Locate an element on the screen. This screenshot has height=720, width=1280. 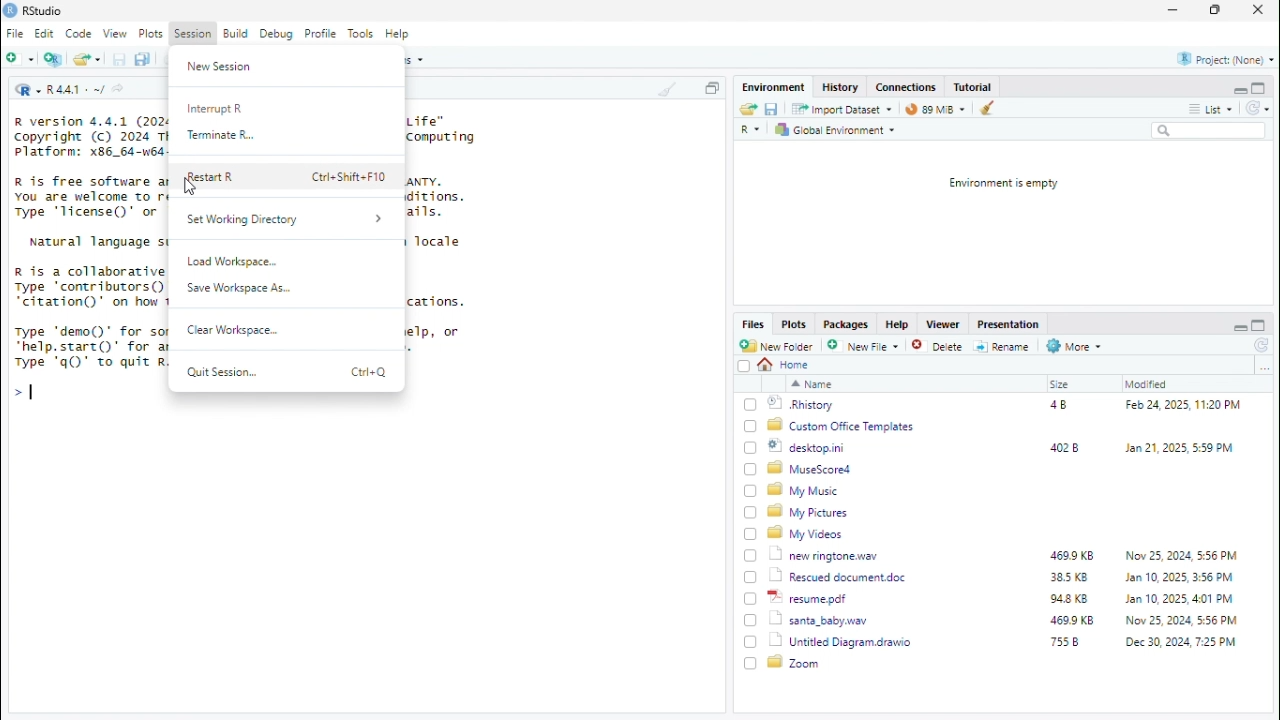
list is located at coordinates (1222, 108).